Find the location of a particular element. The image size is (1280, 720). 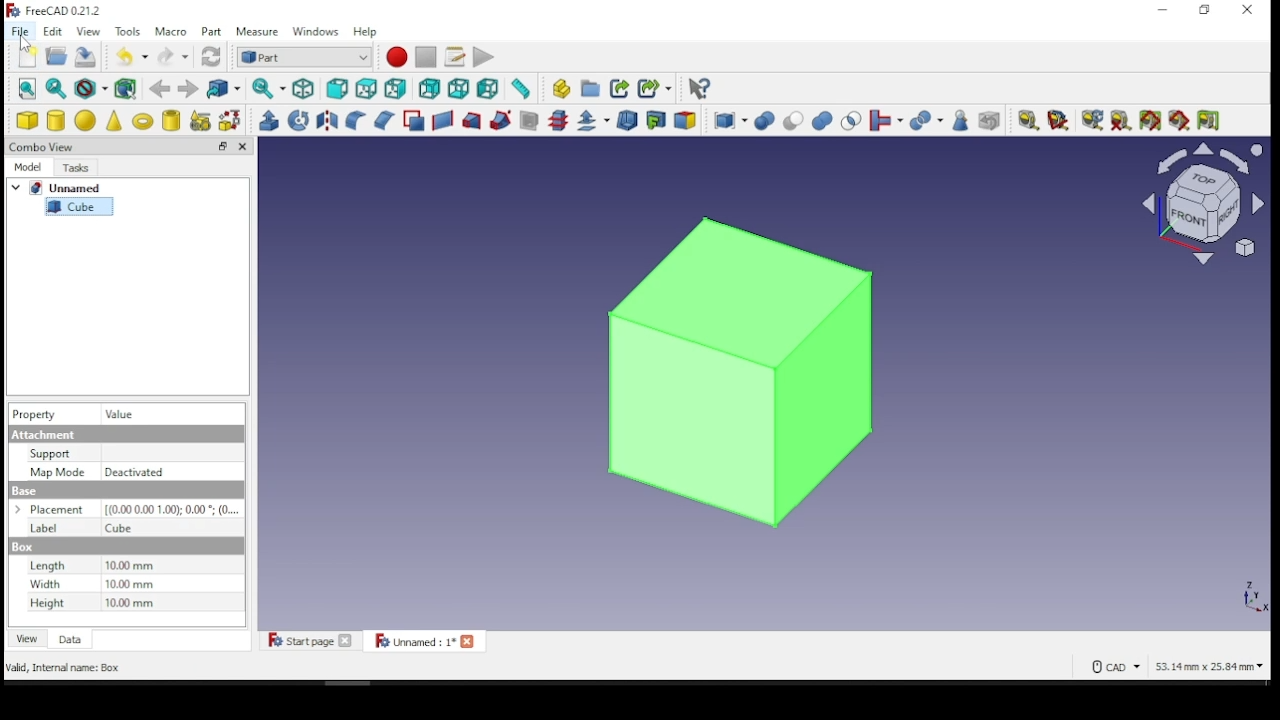

Dimensions in mm is located at coordinates (131, 585).